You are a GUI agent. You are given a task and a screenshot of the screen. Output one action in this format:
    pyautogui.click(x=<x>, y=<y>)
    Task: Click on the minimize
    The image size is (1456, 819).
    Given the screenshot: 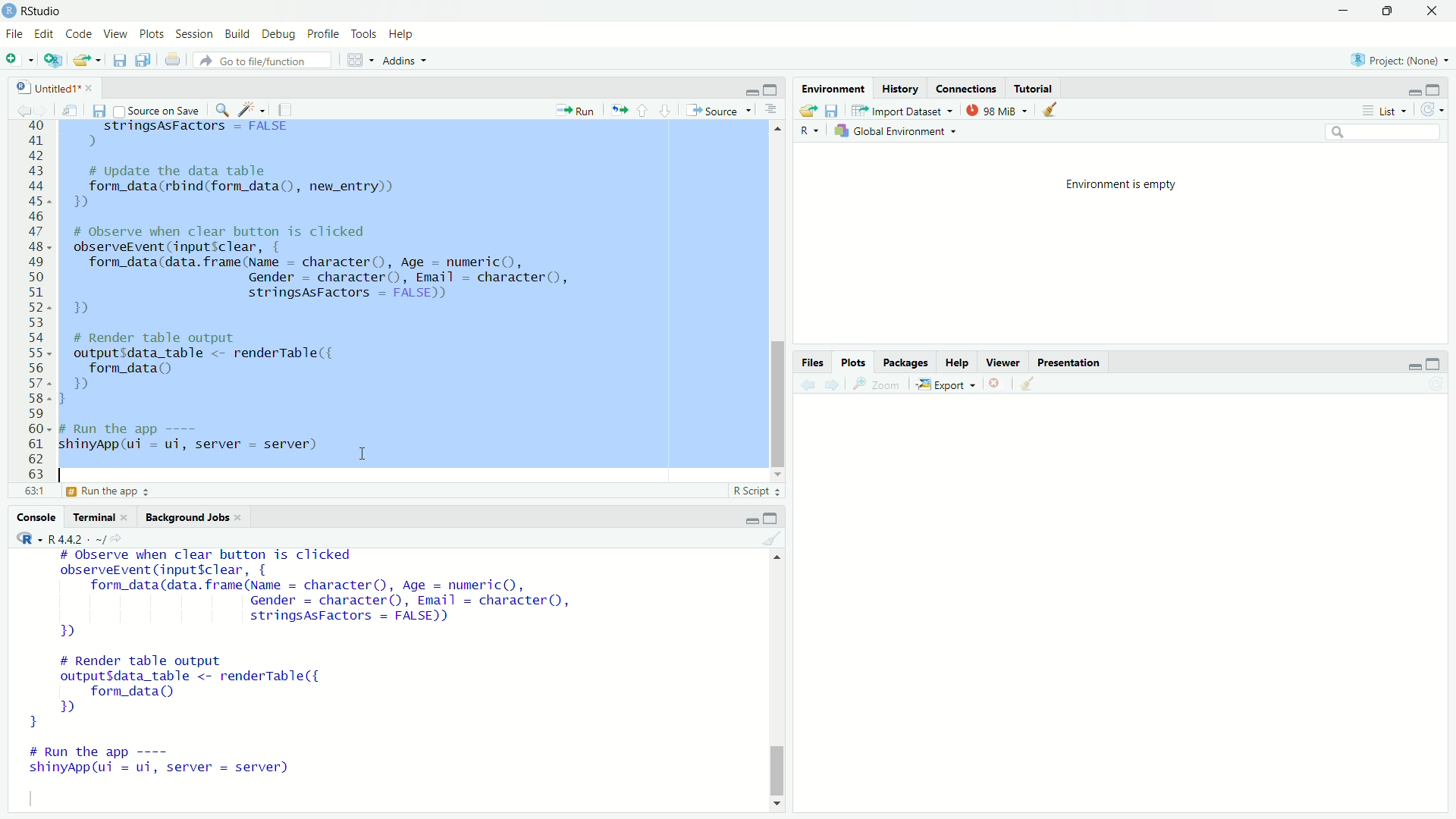 What is the action you would take?
    pyautogui.click(x=1408, y=362)
    